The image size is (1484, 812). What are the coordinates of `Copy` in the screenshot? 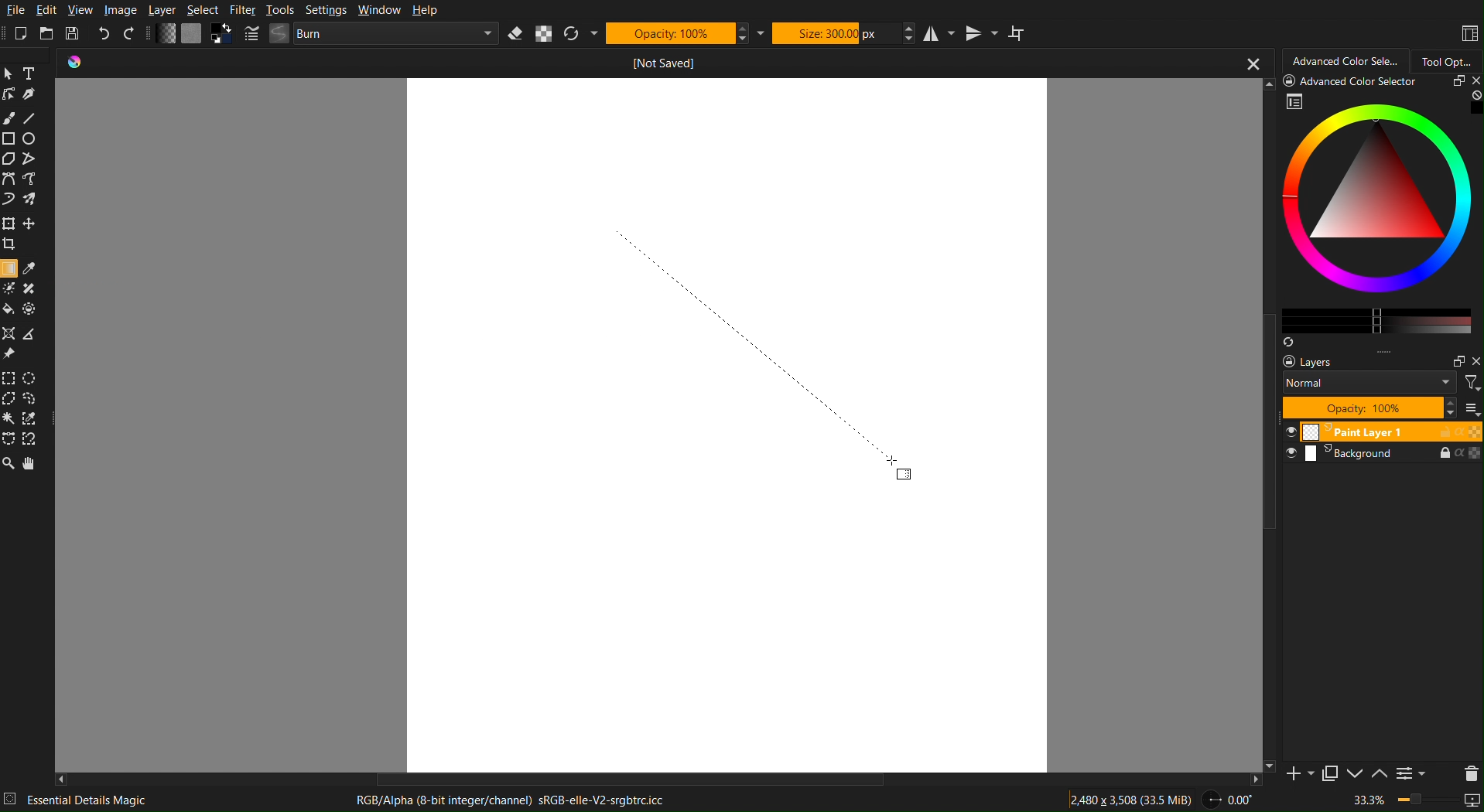 It's located at (1328, 776).